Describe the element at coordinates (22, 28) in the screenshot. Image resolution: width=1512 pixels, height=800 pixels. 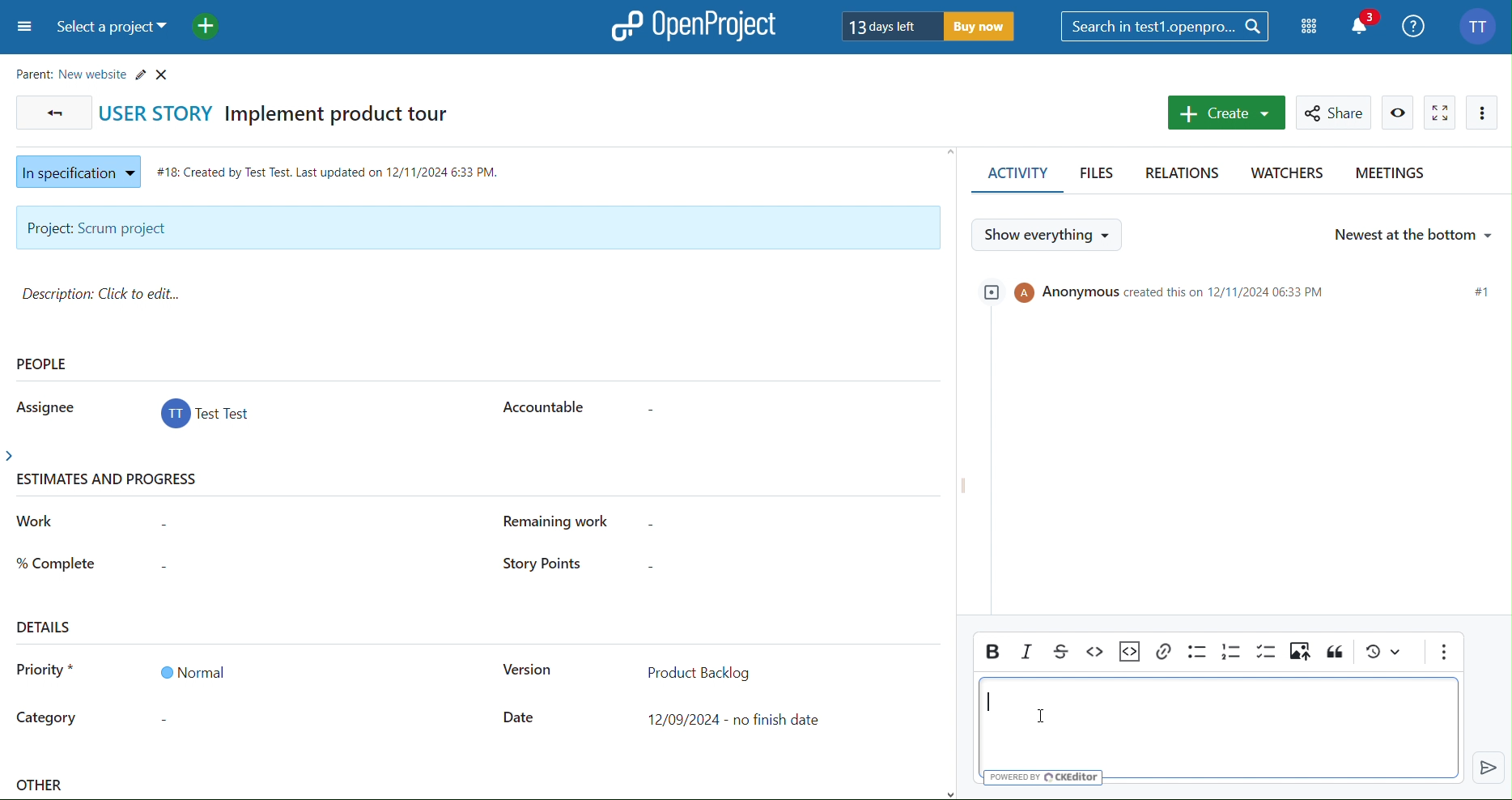
I see `Menu` at that location.